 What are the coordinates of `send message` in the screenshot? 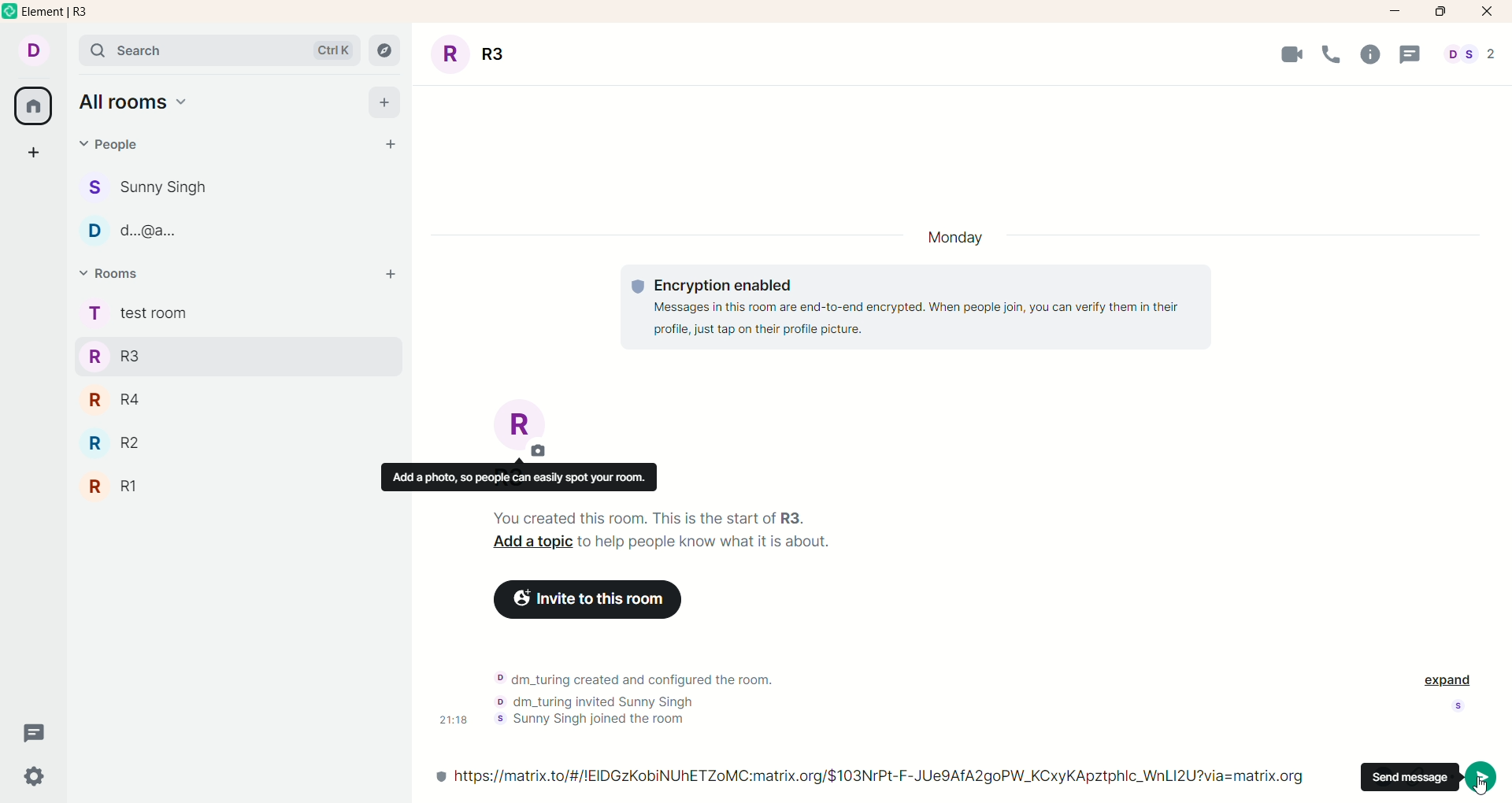 It's located at (1410, 777).